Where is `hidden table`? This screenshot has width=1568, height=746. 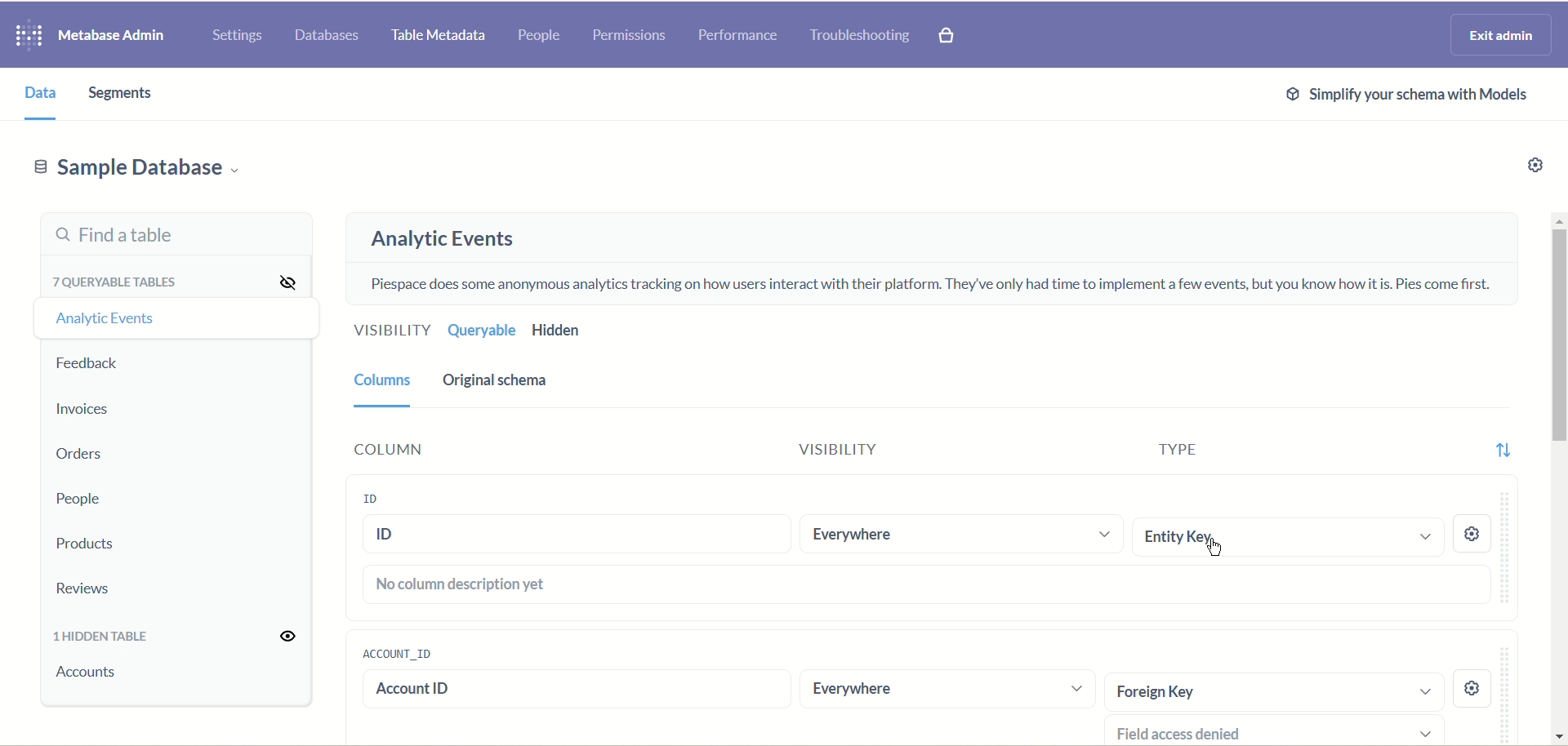 hidden table is located at coordinates (102, 639).